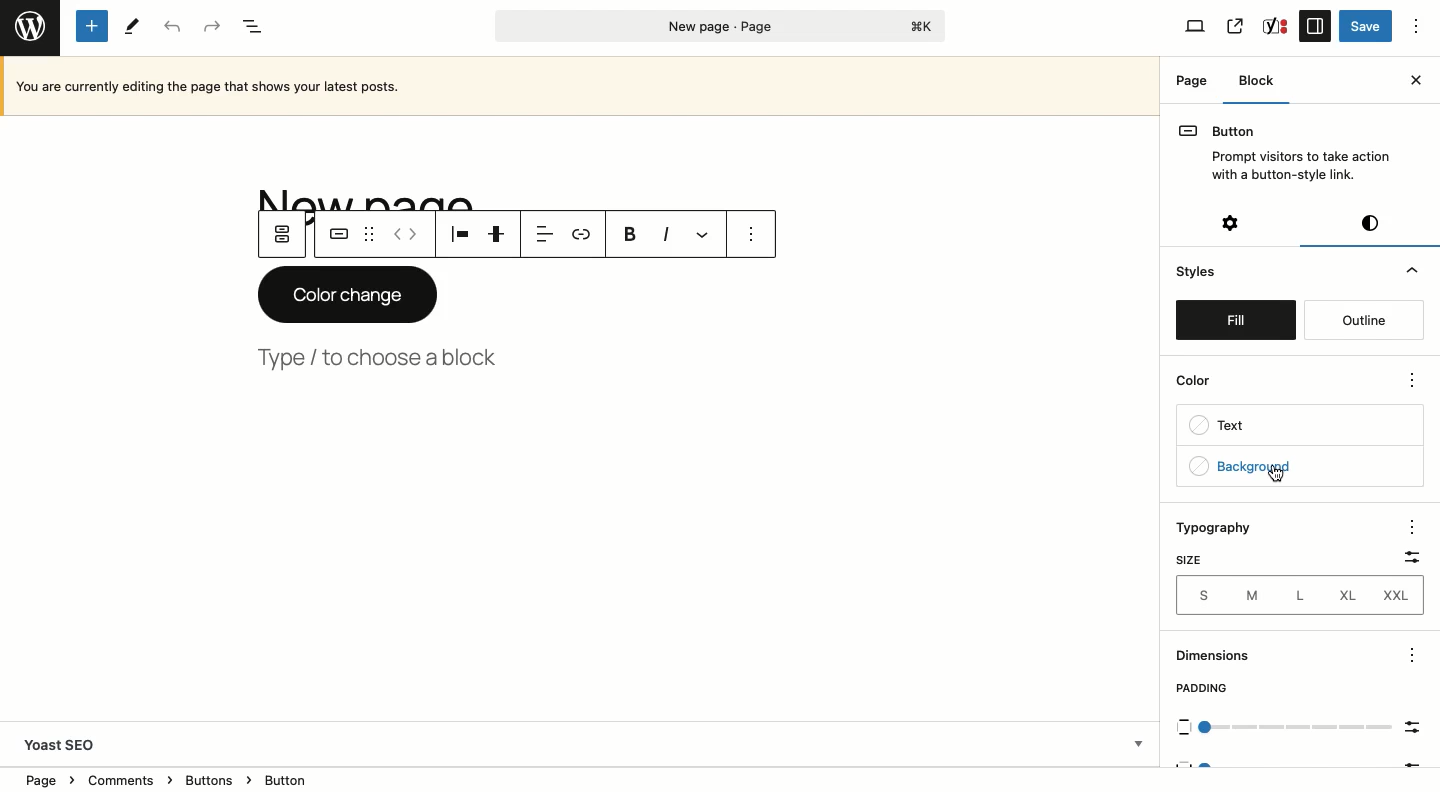 The width and height of the screenshot is (1440, 792). I want to click on Tools, so click(133, 26).